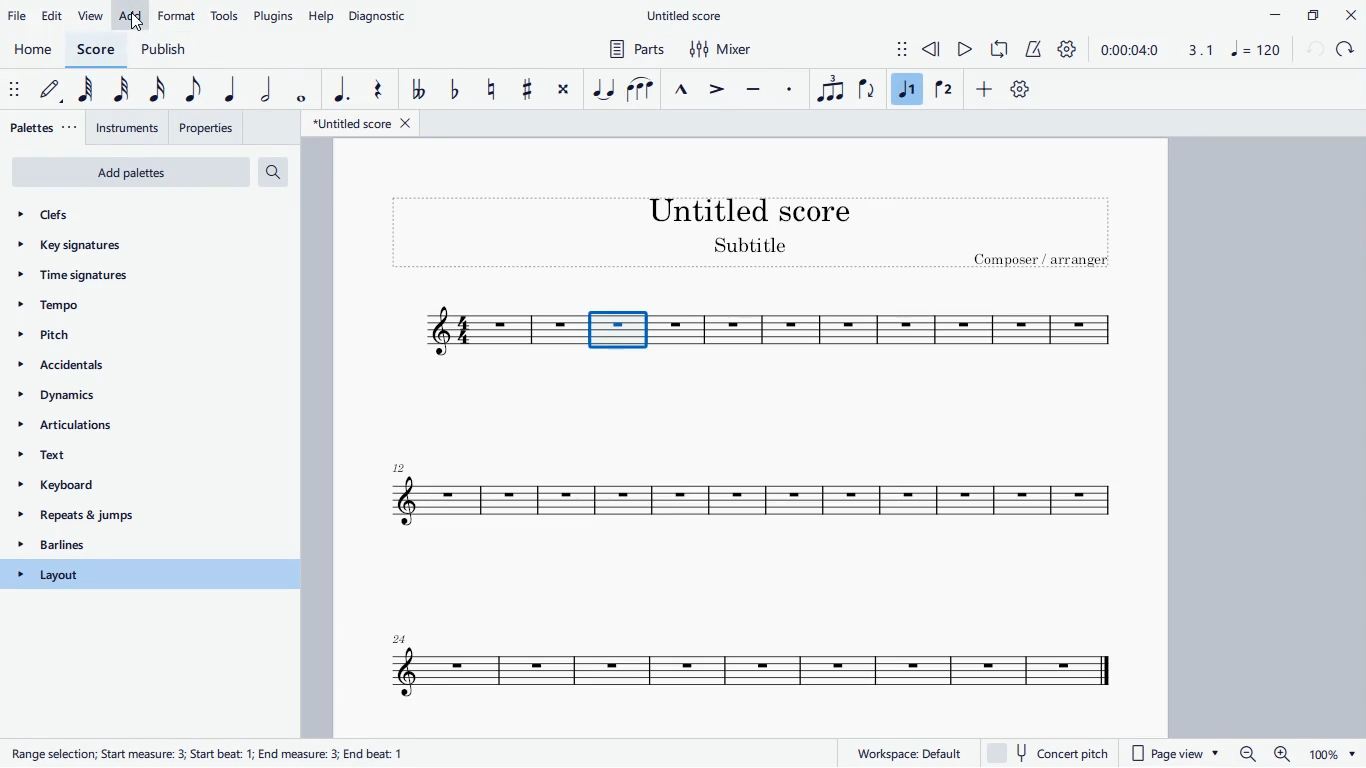  Describe the element at coordinates (192, 91) in the screenshot. I see `eighth note` at that location.